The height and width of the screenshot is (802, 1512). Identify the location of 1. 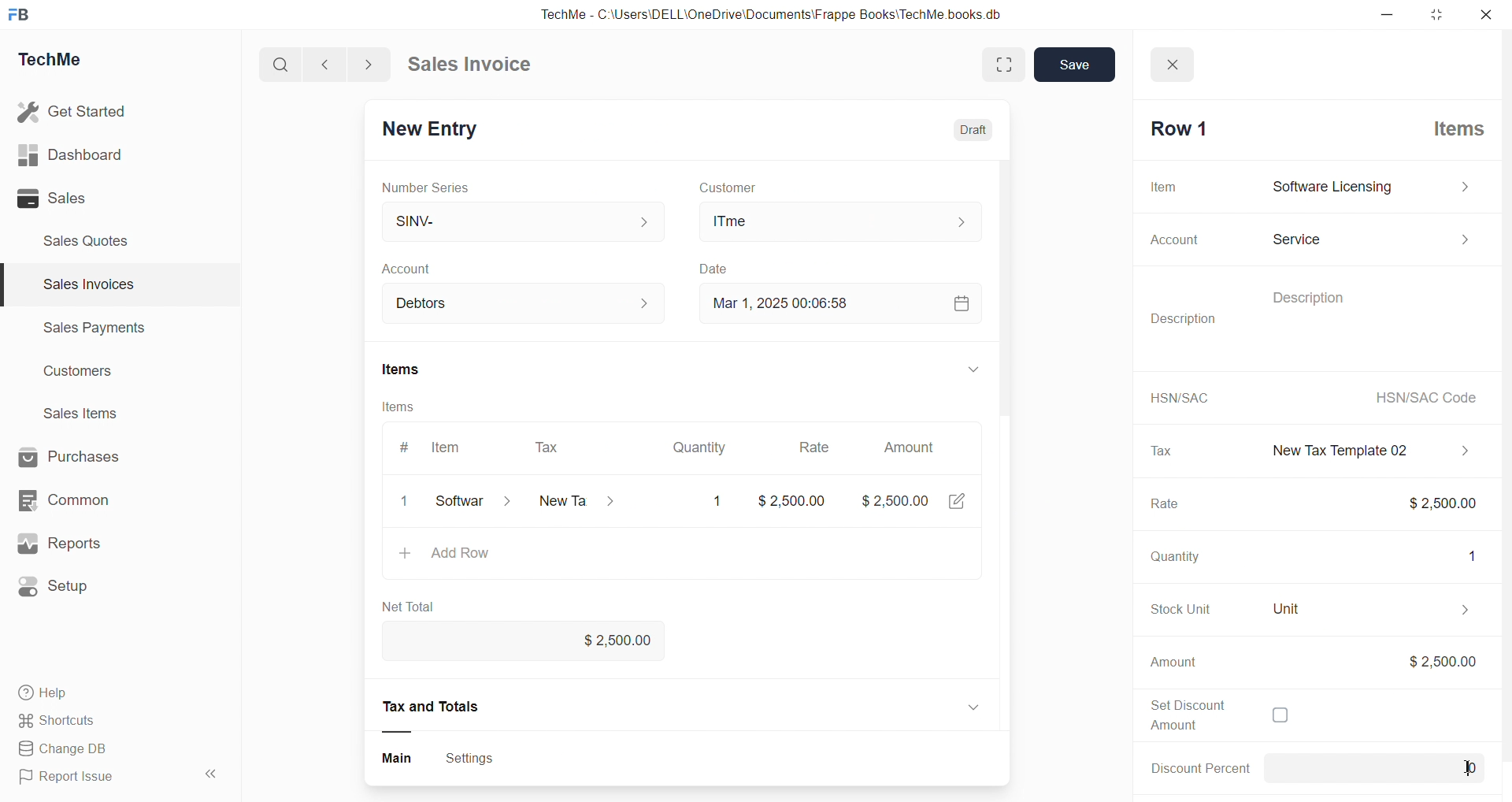
(408, 502).